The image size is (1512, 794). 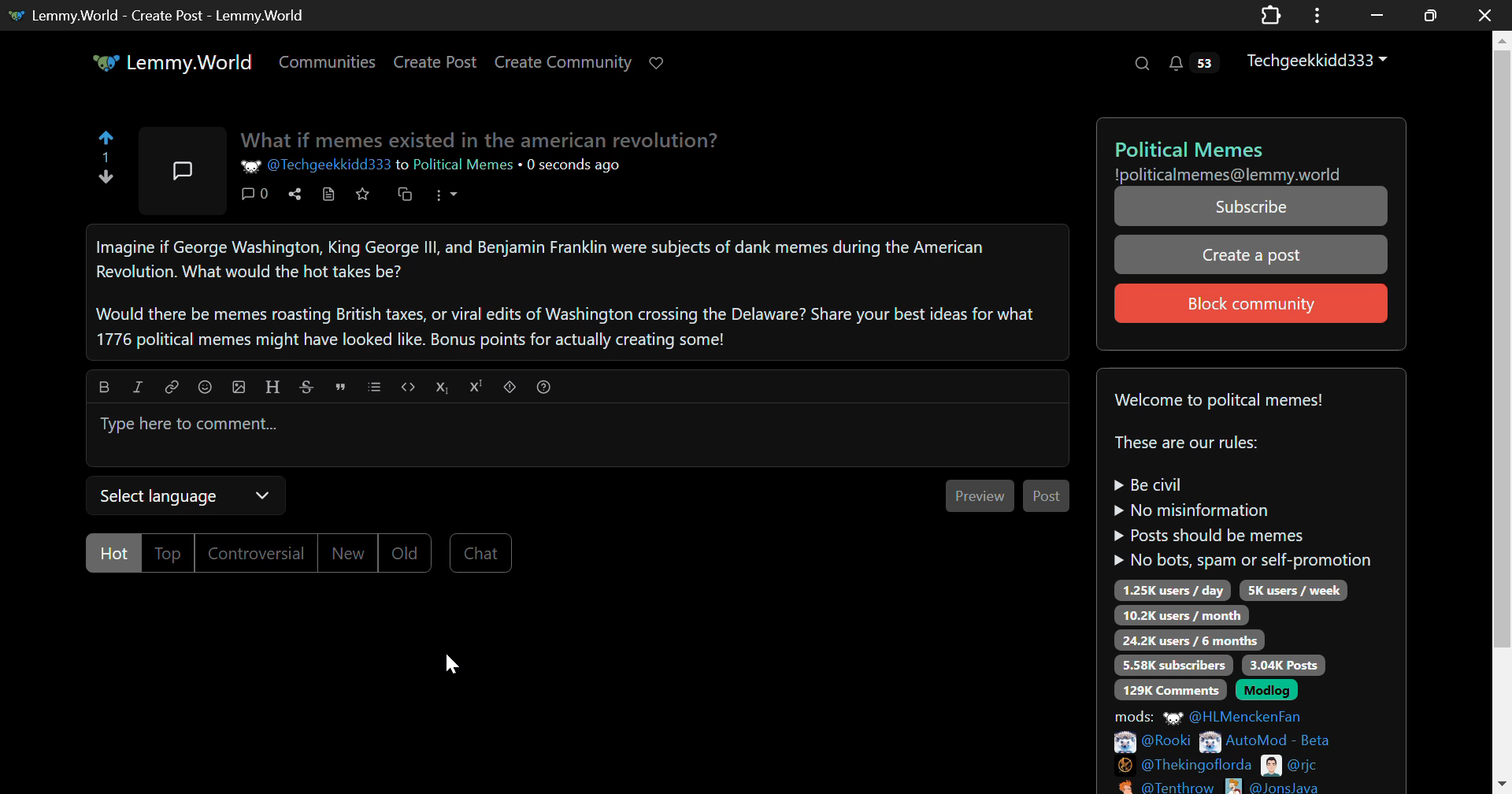 I want to click on Communities Page, so click(x=326, y=61).